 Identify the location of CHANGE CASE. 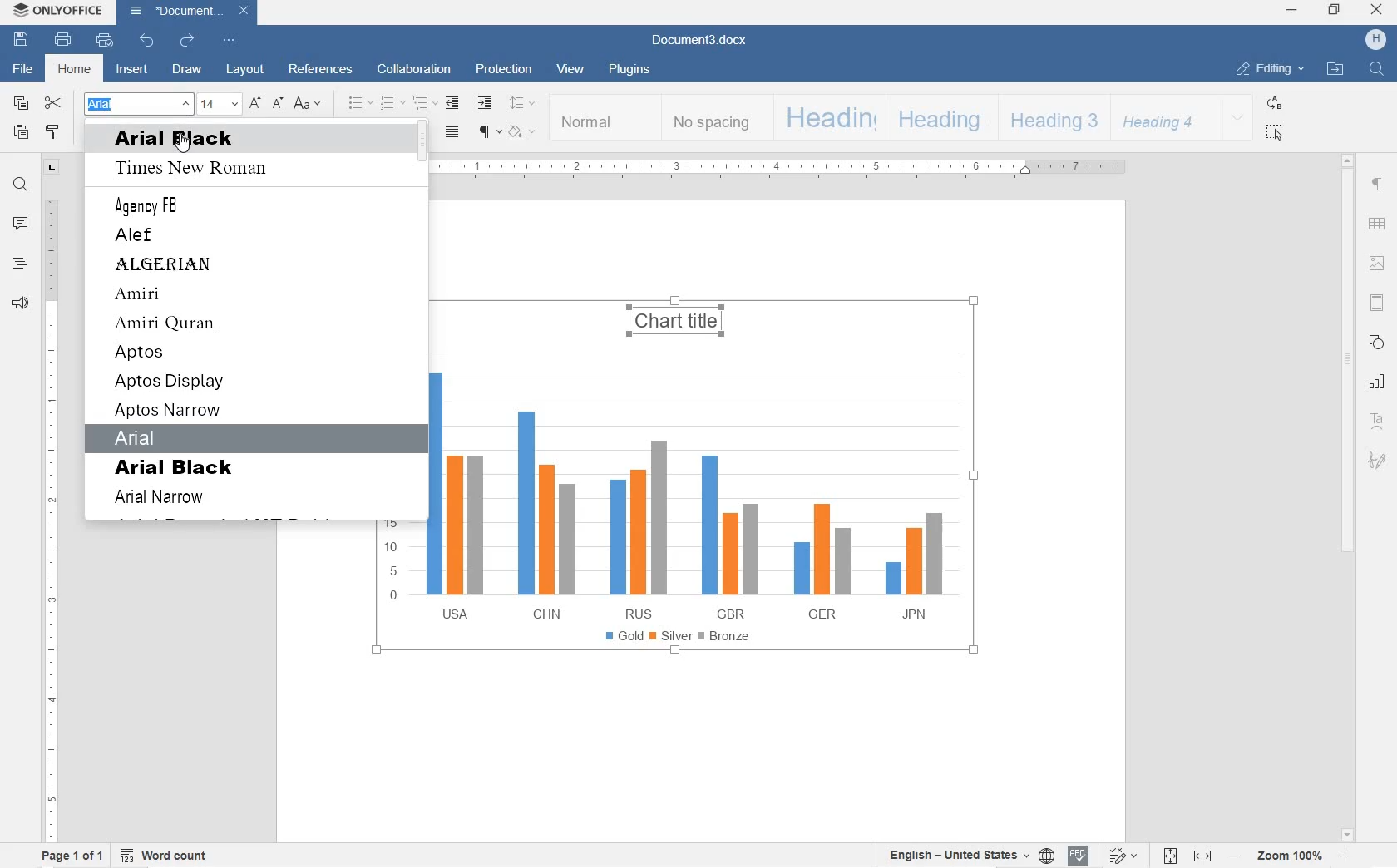
(308, 103).